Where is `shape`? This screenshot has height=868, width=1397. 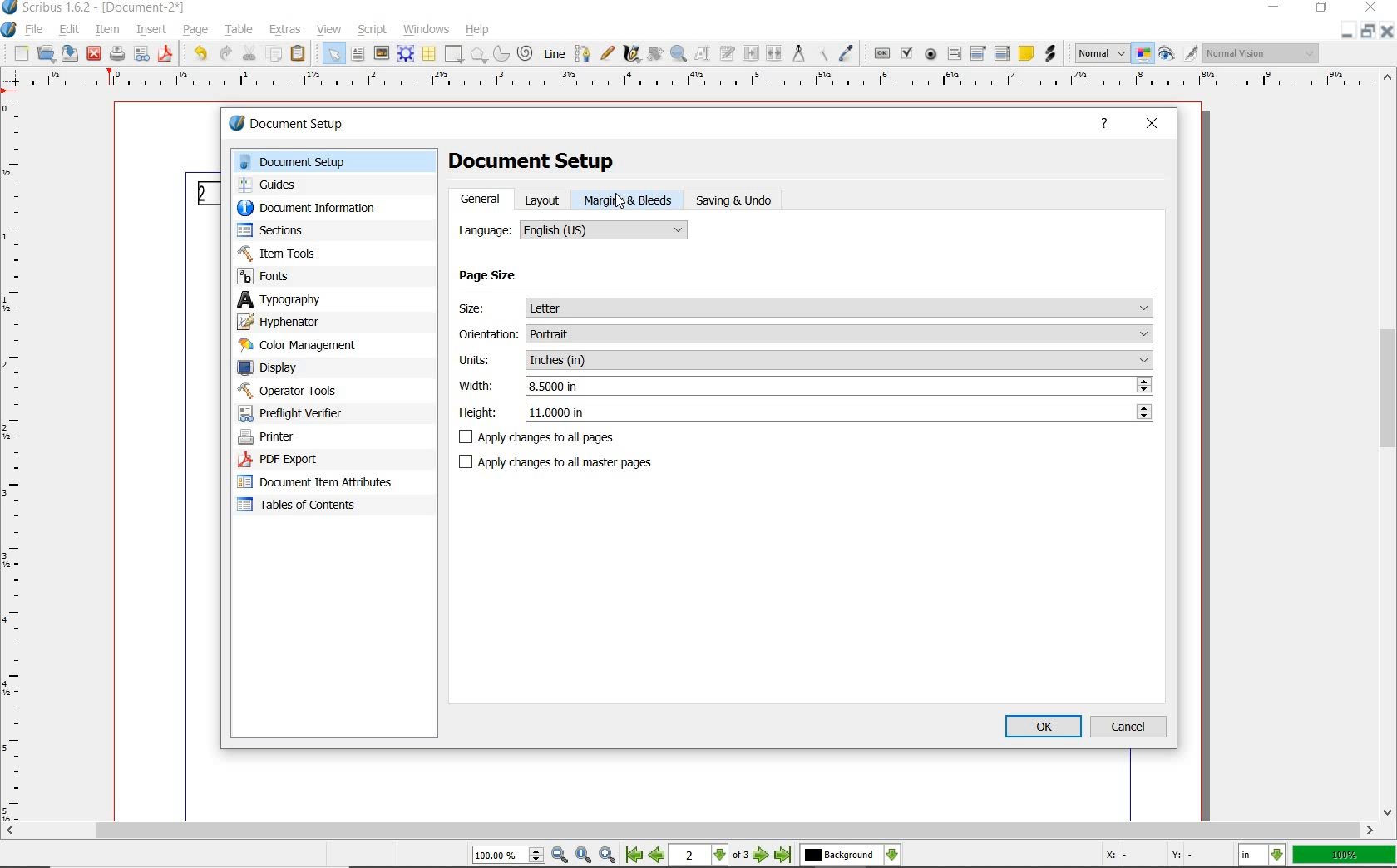
shape is located at coordinates (452, 55).